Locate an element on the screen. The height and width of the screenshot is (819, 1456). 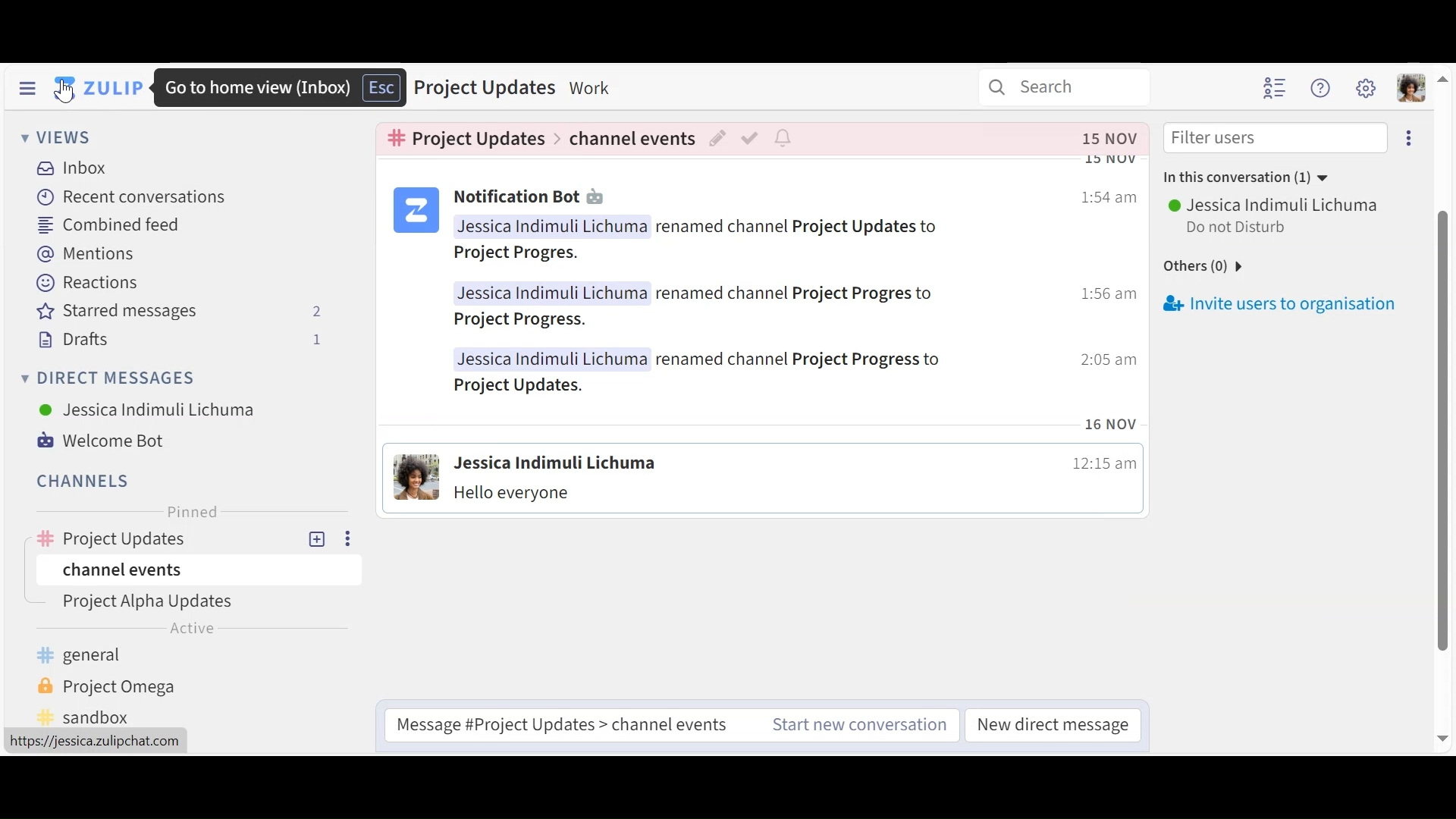
notification bot profile photo is located at coordinates (416, 209).